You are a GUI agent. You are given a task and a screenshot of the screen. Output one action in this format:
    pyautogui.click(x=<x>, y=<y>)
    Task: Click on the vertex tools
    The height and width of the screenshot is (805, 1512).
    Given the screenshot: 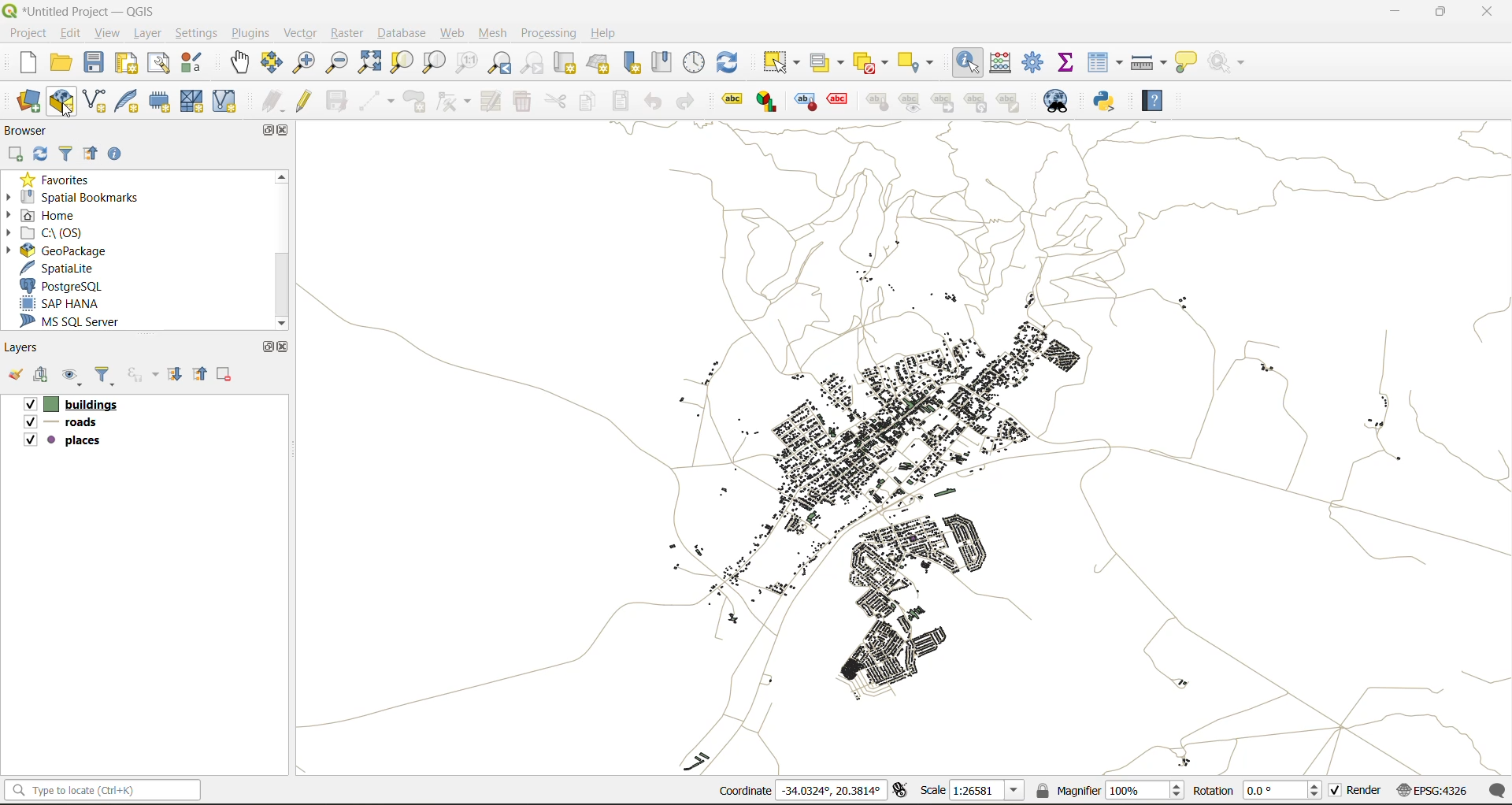 What is the action you would take?
    pyautogui.click(x=454, y=102)
    